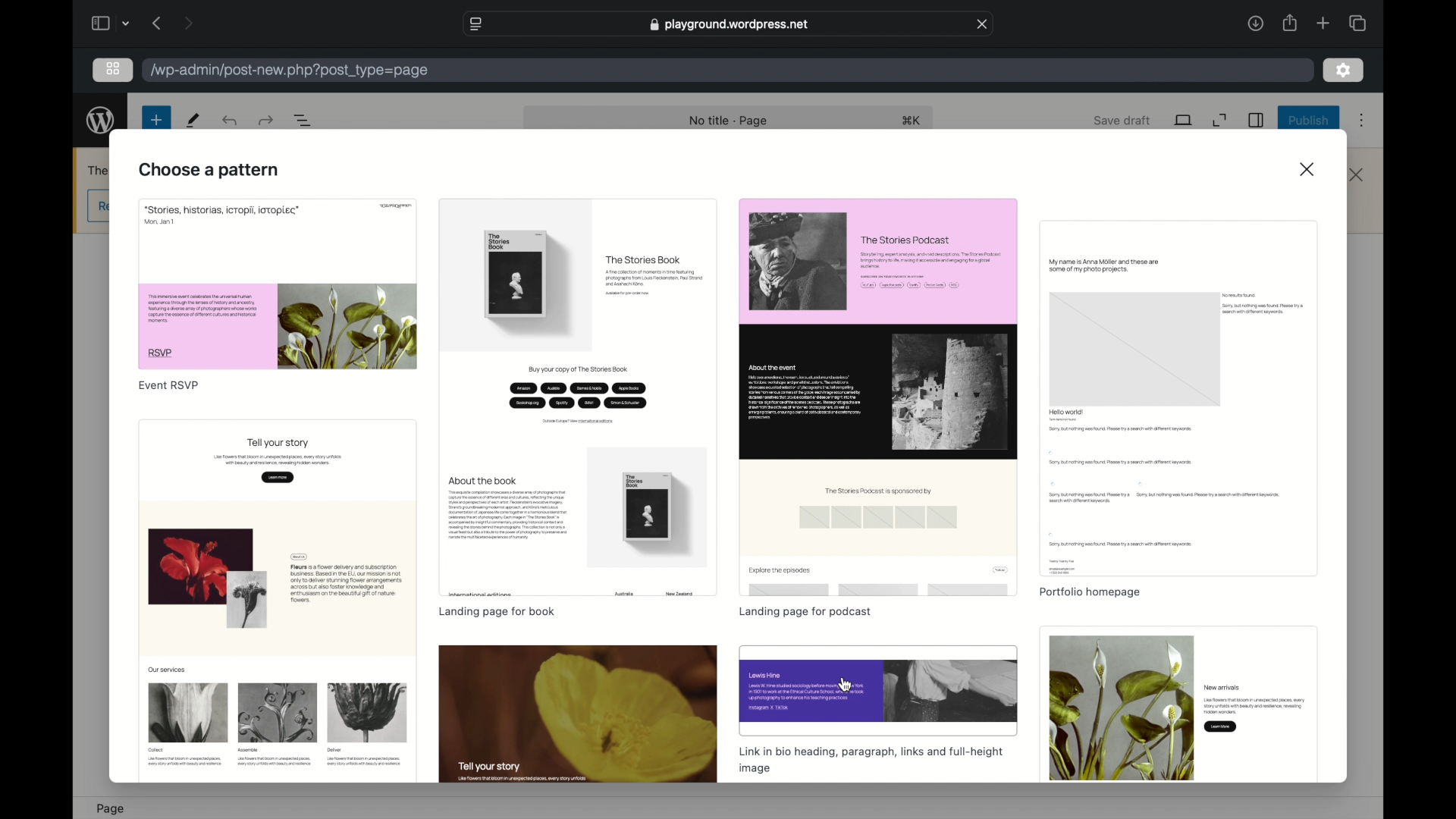 This screenshot has width=1456, height=819. Describe the element at coordinates (99, 23) in the screenshot. I see `sidebar` at that location.